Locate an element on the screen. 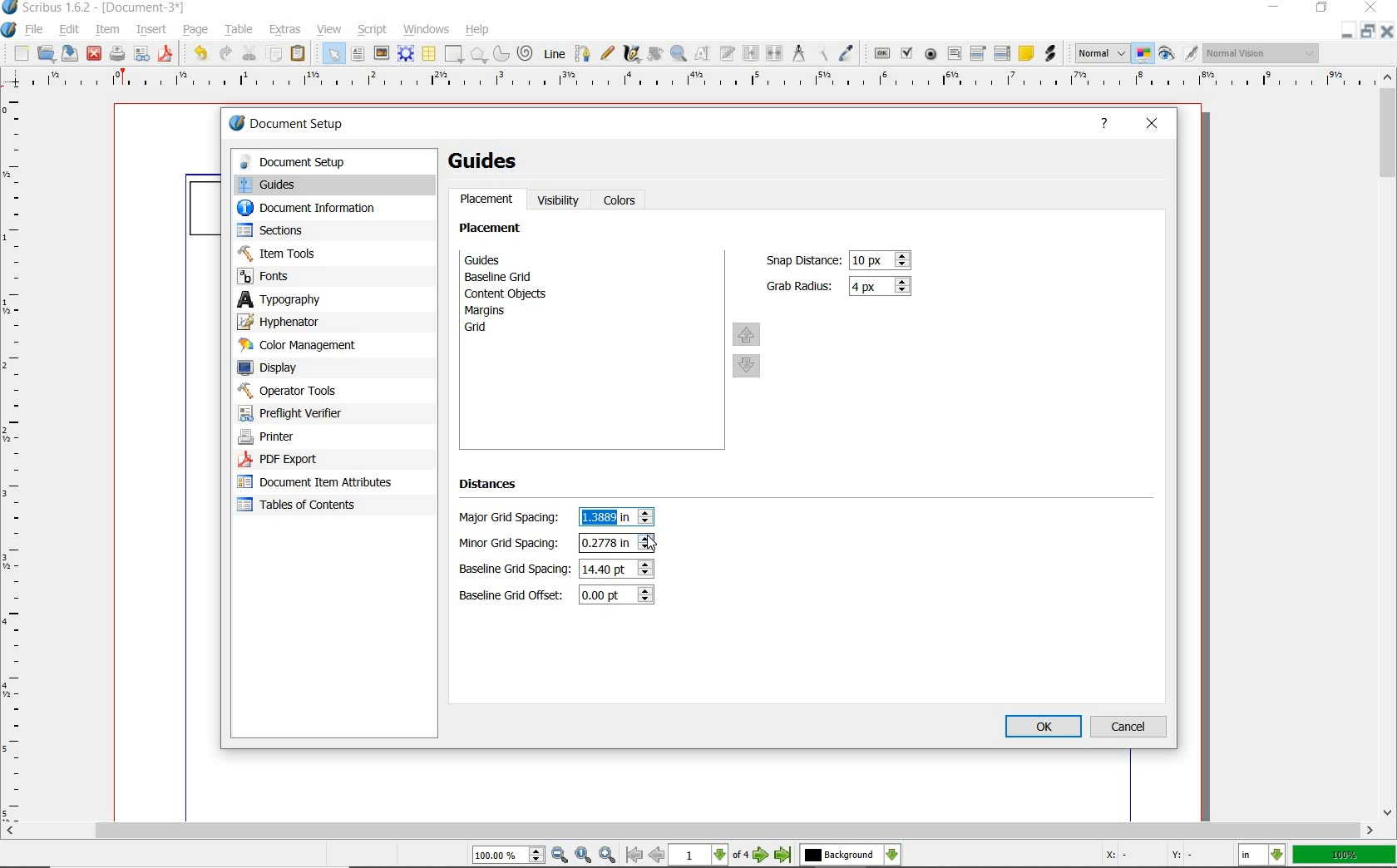 The height and width of the screenshot is (868, 1397). redo is located at coordinates (225, 54).